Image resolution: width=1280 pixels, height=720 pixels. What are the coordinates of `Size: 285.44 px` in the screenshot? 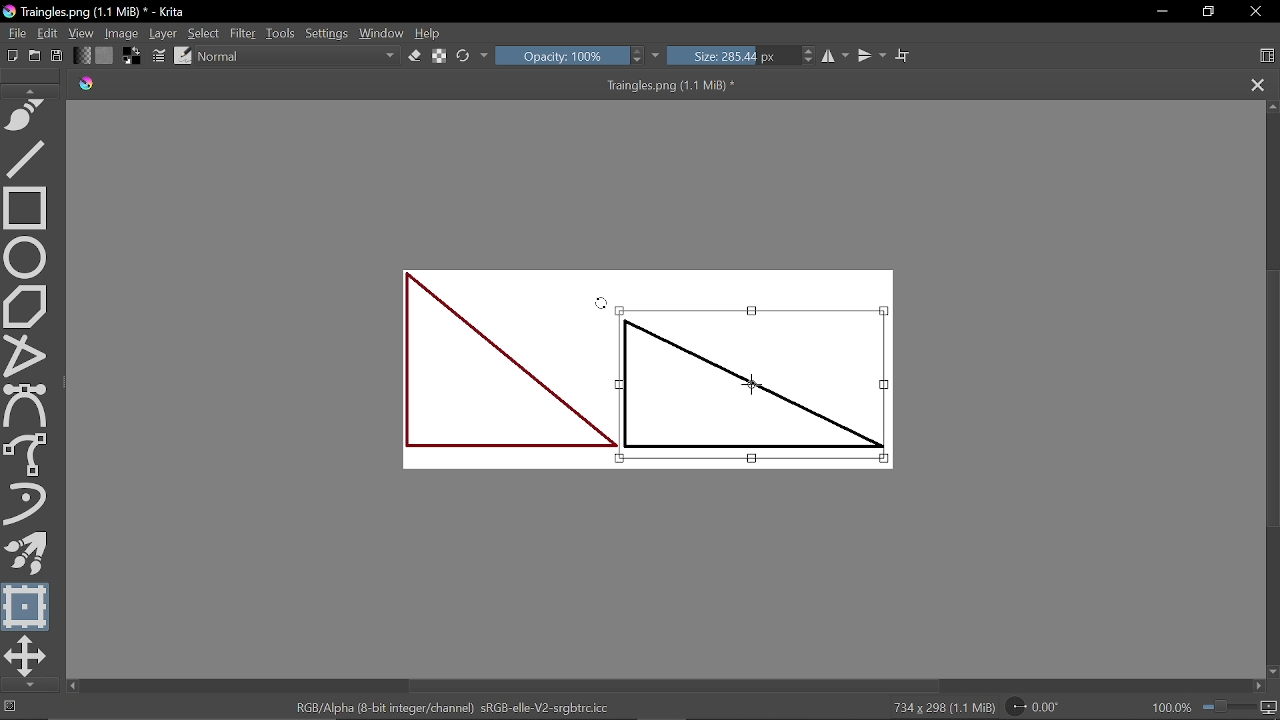 It's located at (743, 57).